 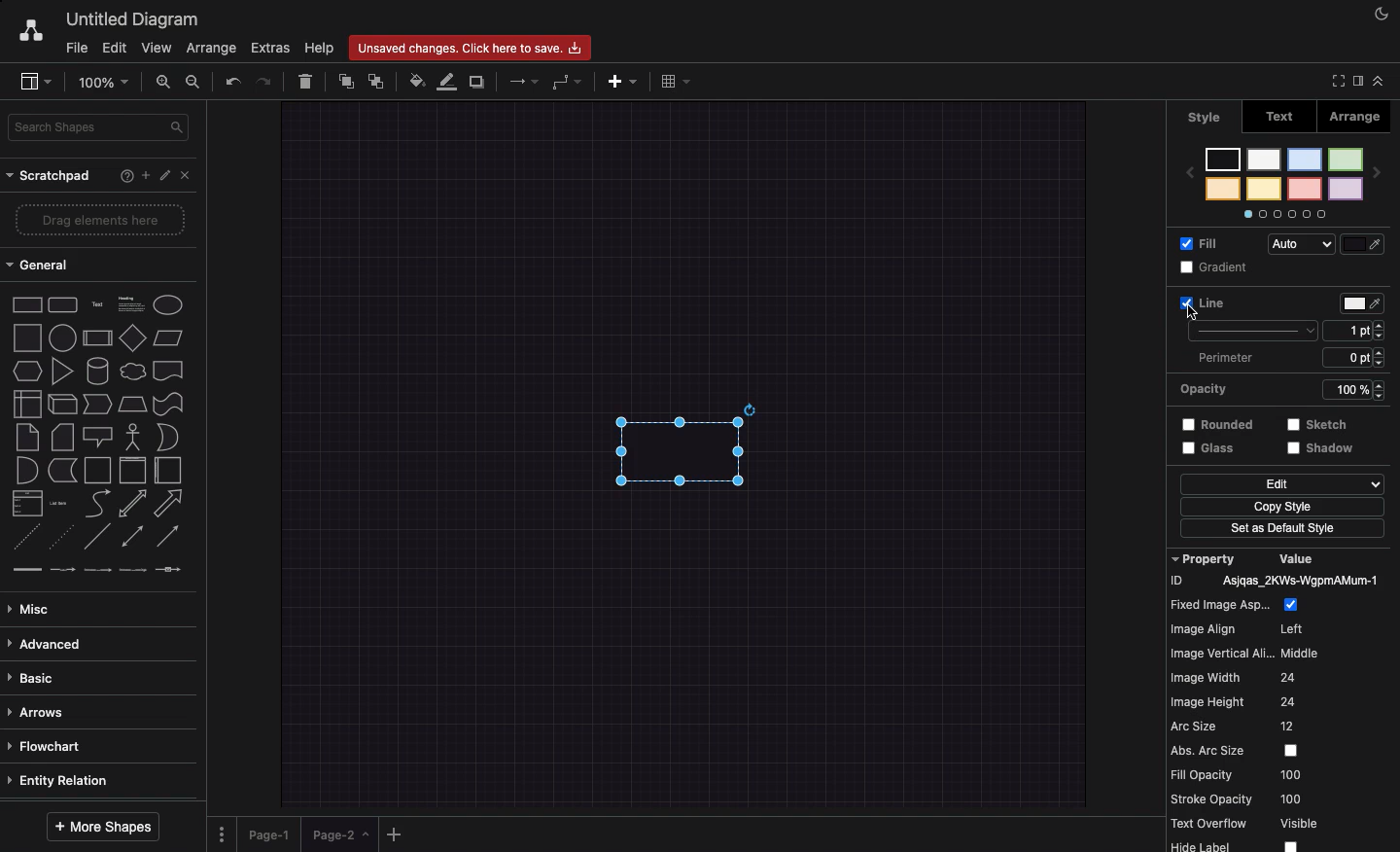 What do you see at coordinates (1213, 449) in the screenshot?
I see `Glass` at bounding box center [1213, 449].